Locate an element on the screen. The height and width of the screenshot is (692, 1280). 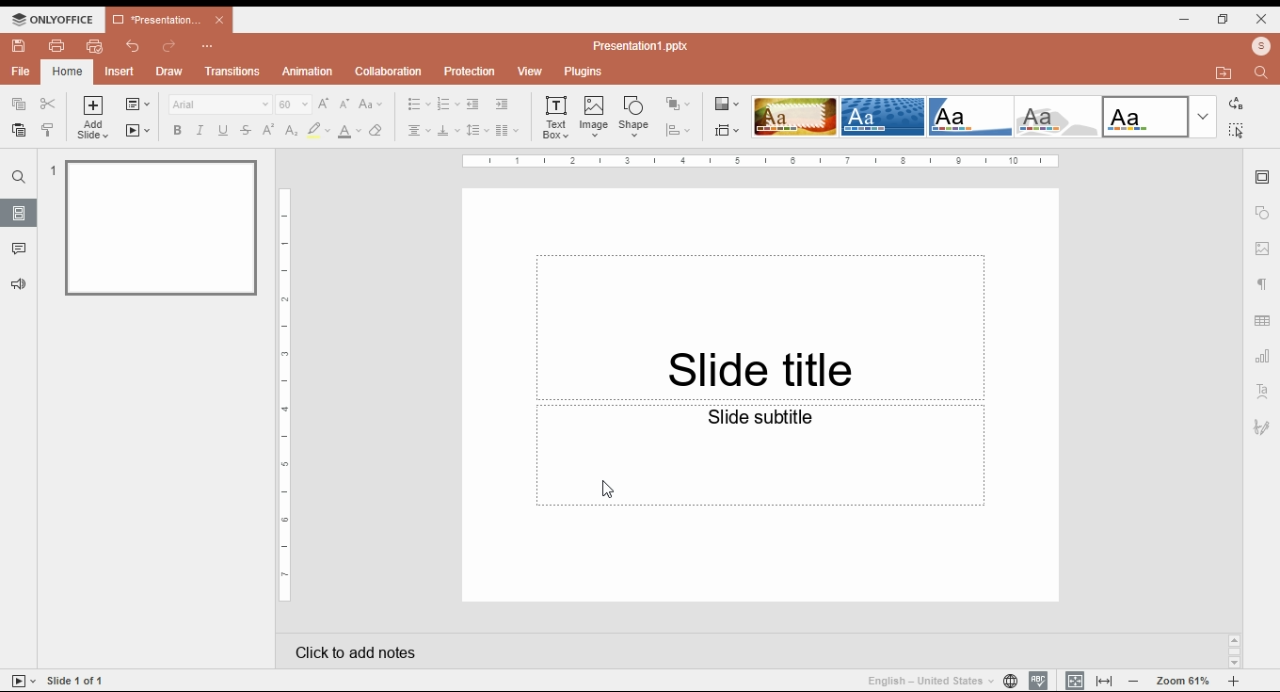
font color is located at coordinates (351, 131).